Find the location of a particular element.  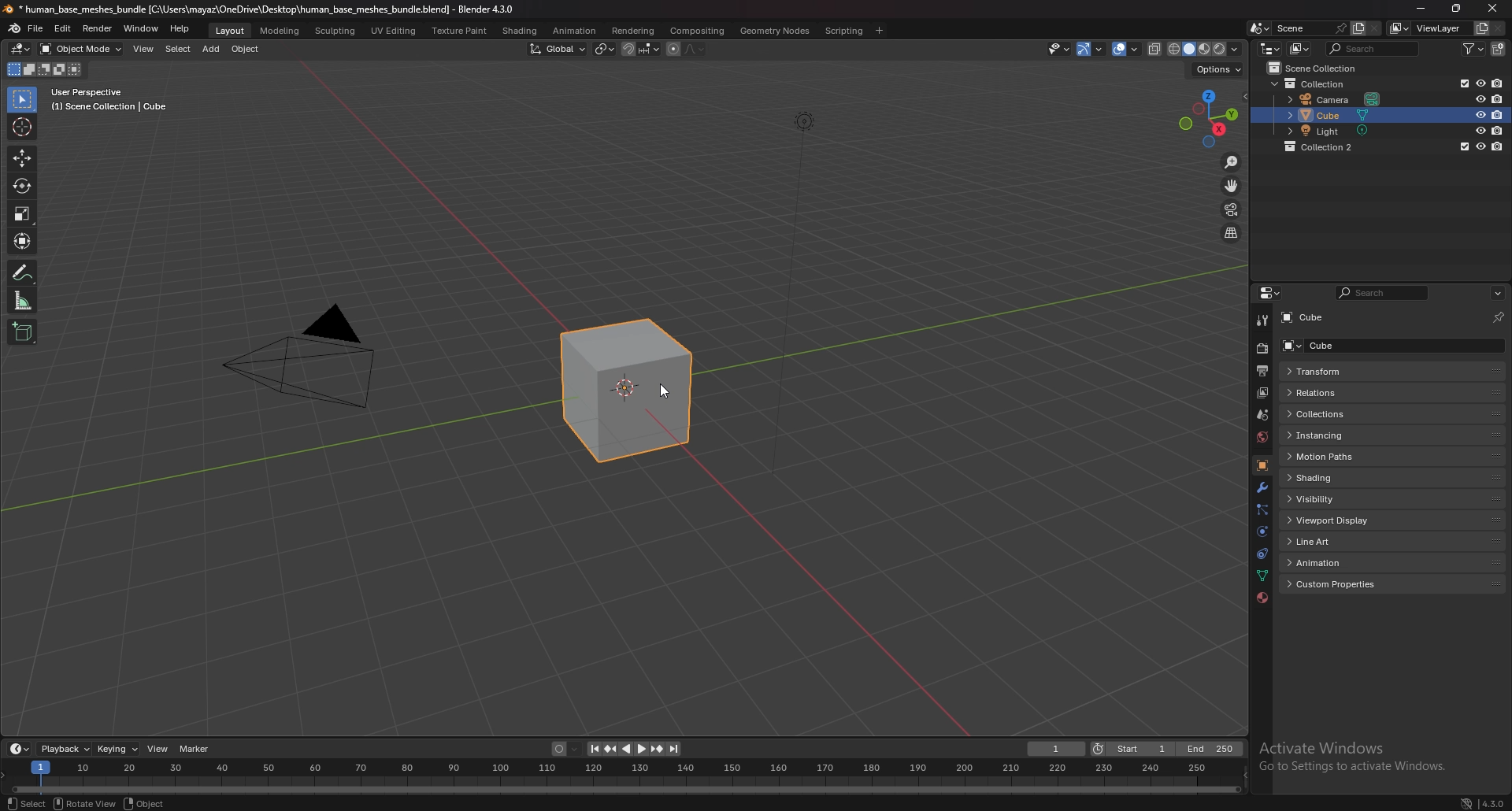

rotate is located at coordinates (23, 185).